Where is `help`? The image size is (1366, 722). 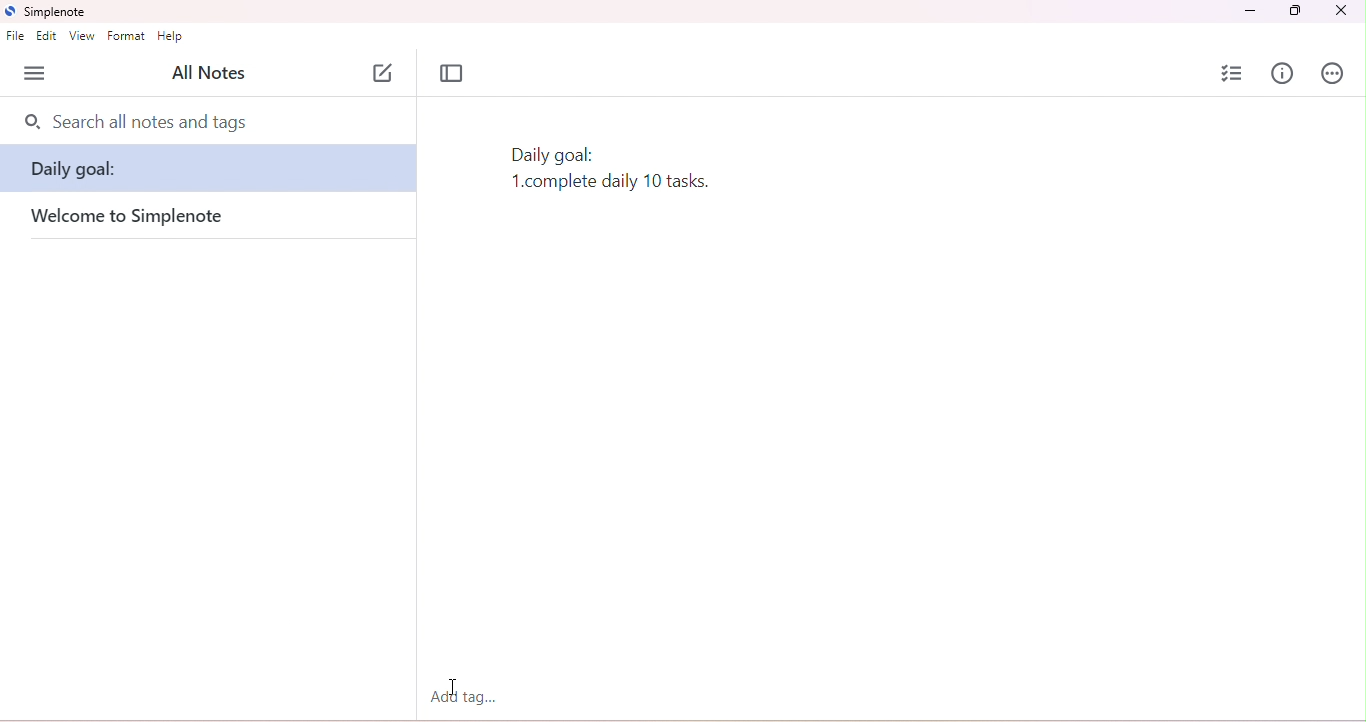
help is located at coordinates (171, 35).